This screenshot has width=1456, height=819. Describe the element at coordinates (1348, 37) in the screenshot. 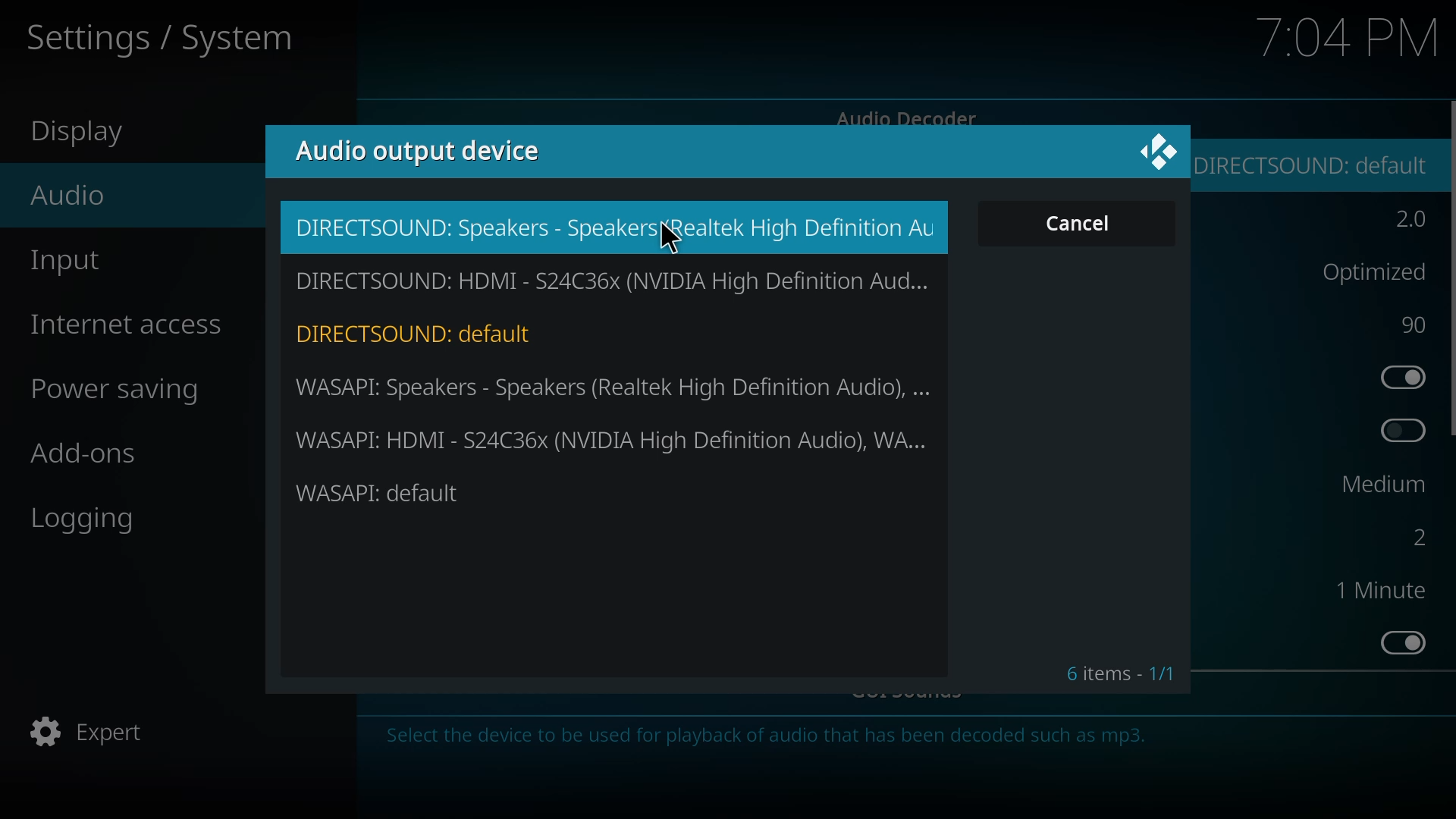

I see `time` at that location.